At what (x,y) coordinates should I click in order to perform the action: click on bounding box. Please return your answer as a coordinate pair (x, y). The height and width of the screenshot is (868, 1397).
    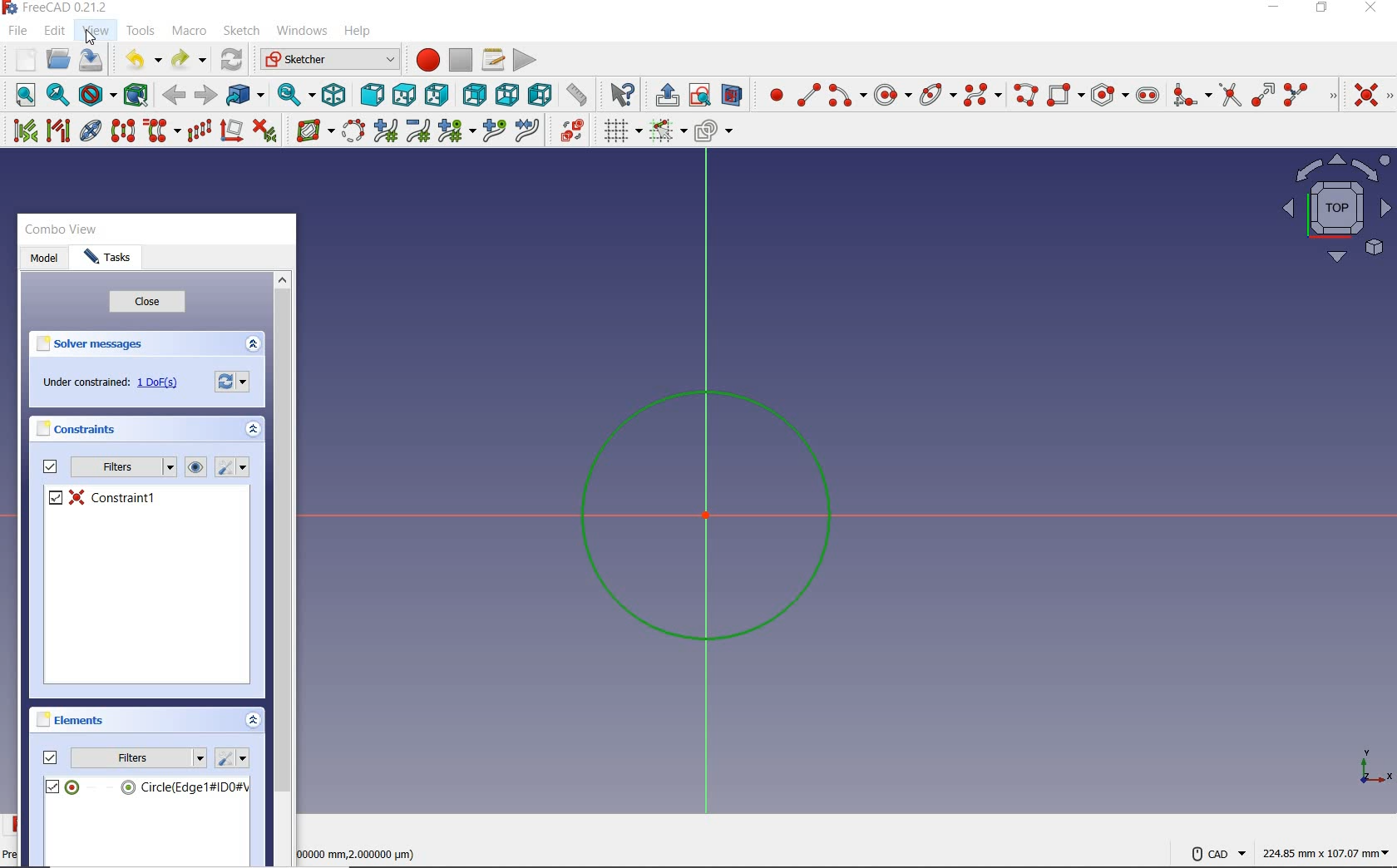
    Looking at the image, I should click on (136, 93).